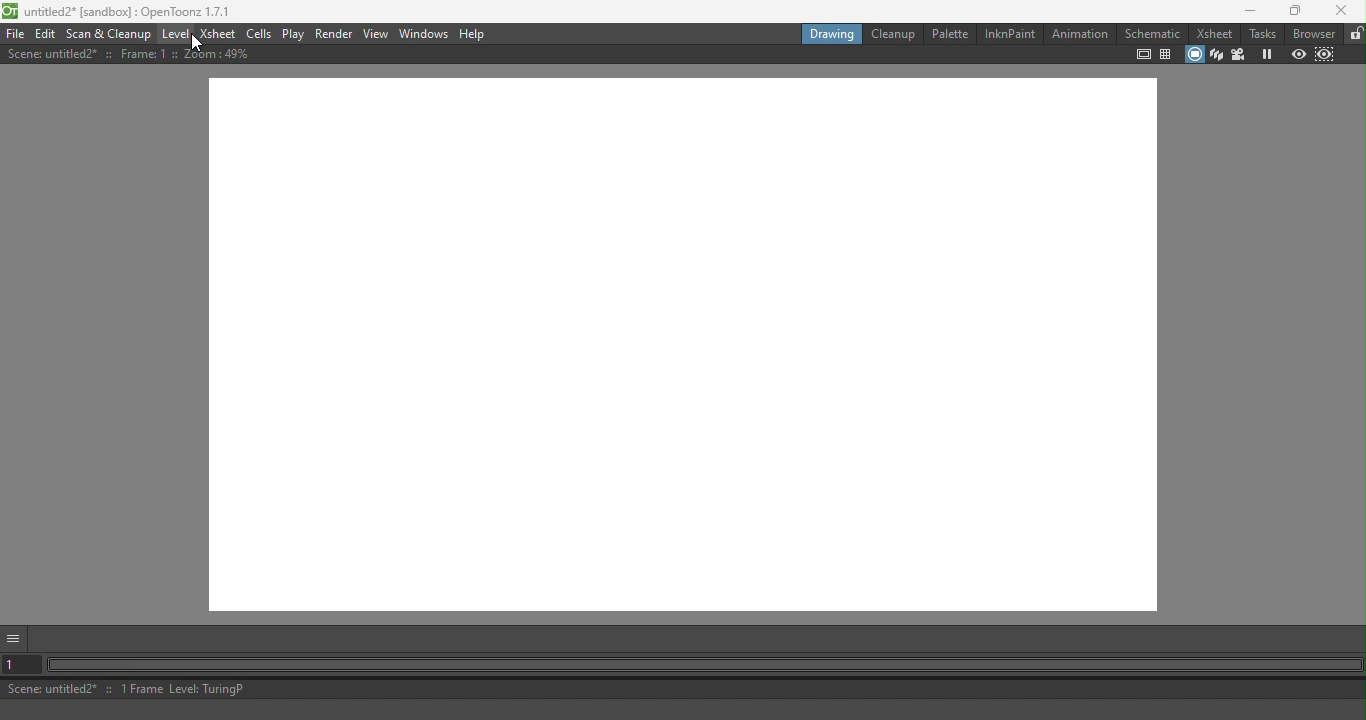 The image size is (1366, 720). What do you see at coordinates (218, 34) in the screenshot?
I see `Xsheet` at bounding box center [218, 34].